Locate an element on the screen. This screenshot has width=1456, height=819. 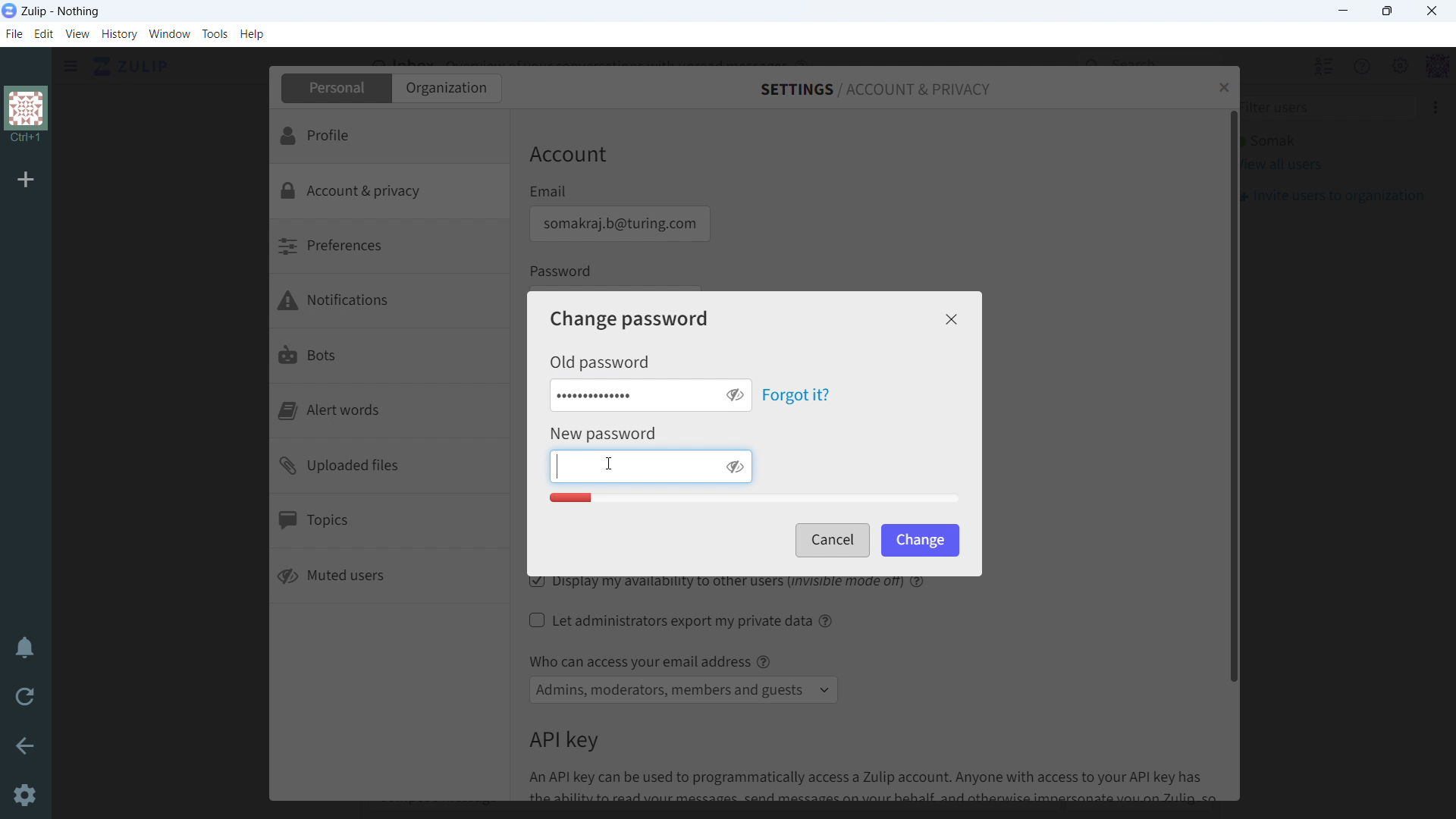
email is located at coordinates (618, 224).